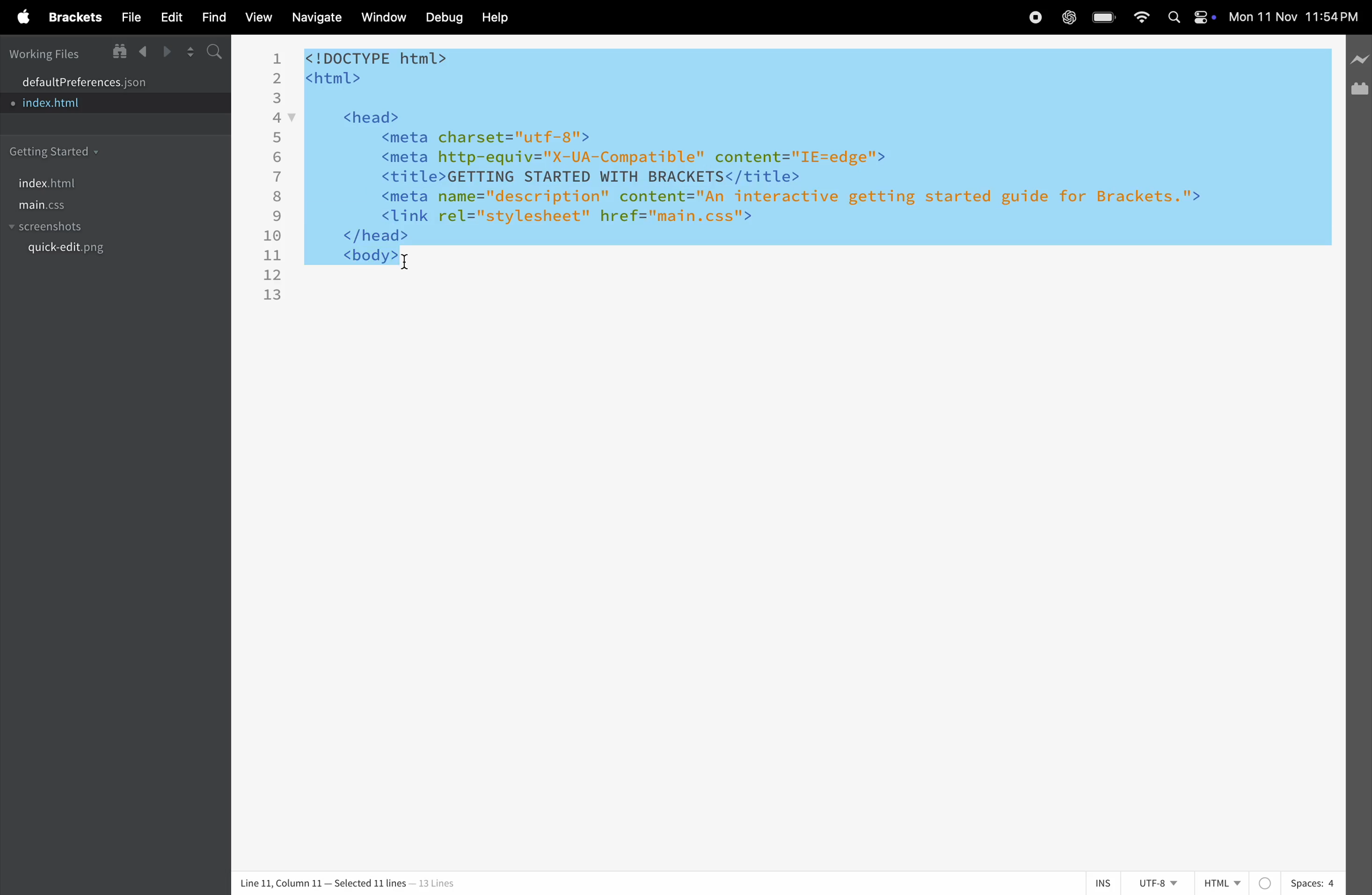  I want to click on 3, so click(278, 99).